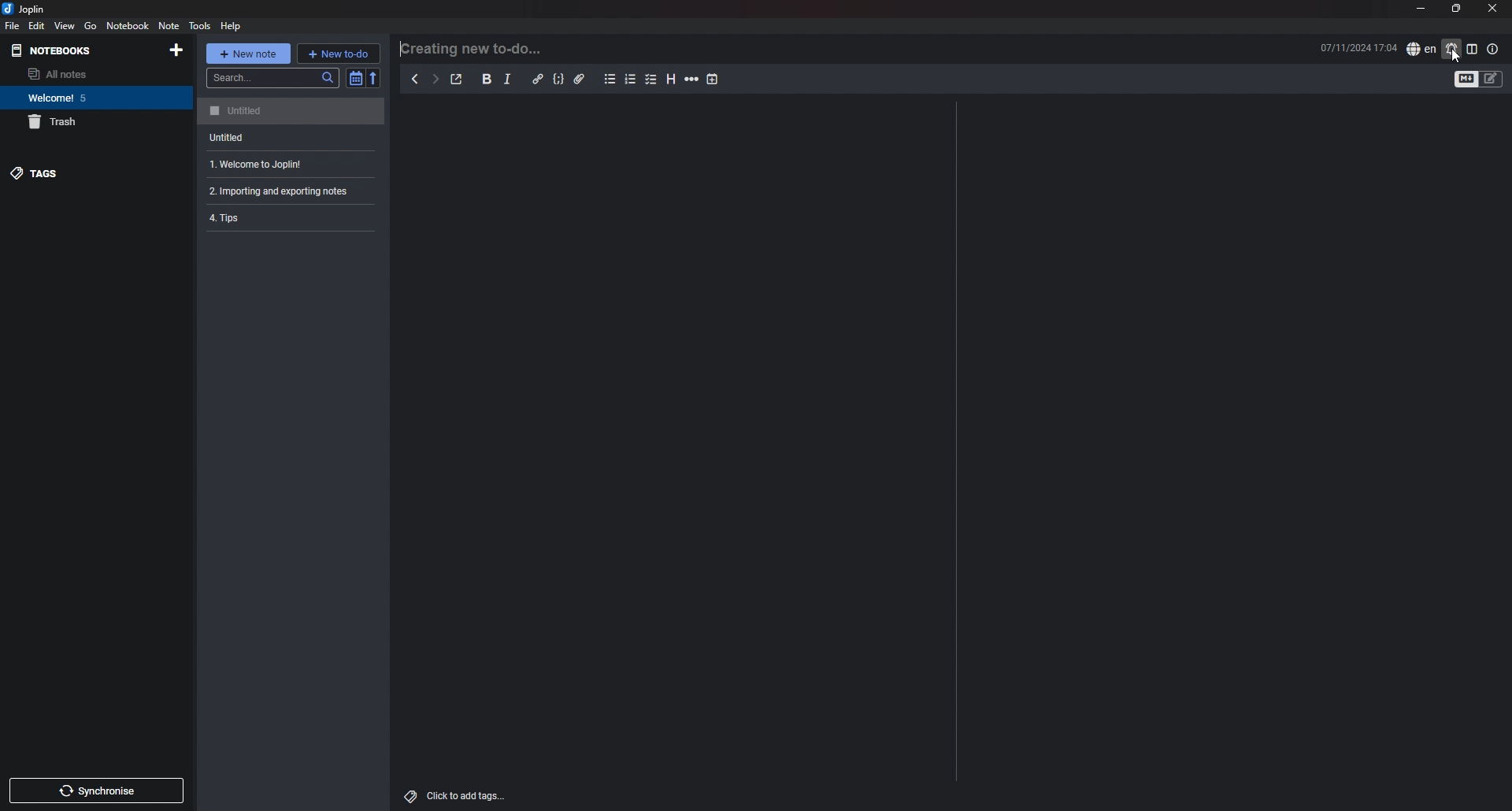 This screenshot has width=1512, height=811. Describe the element at coordinates (652, 80) in the screenshot. I see `checkbox` at that location.